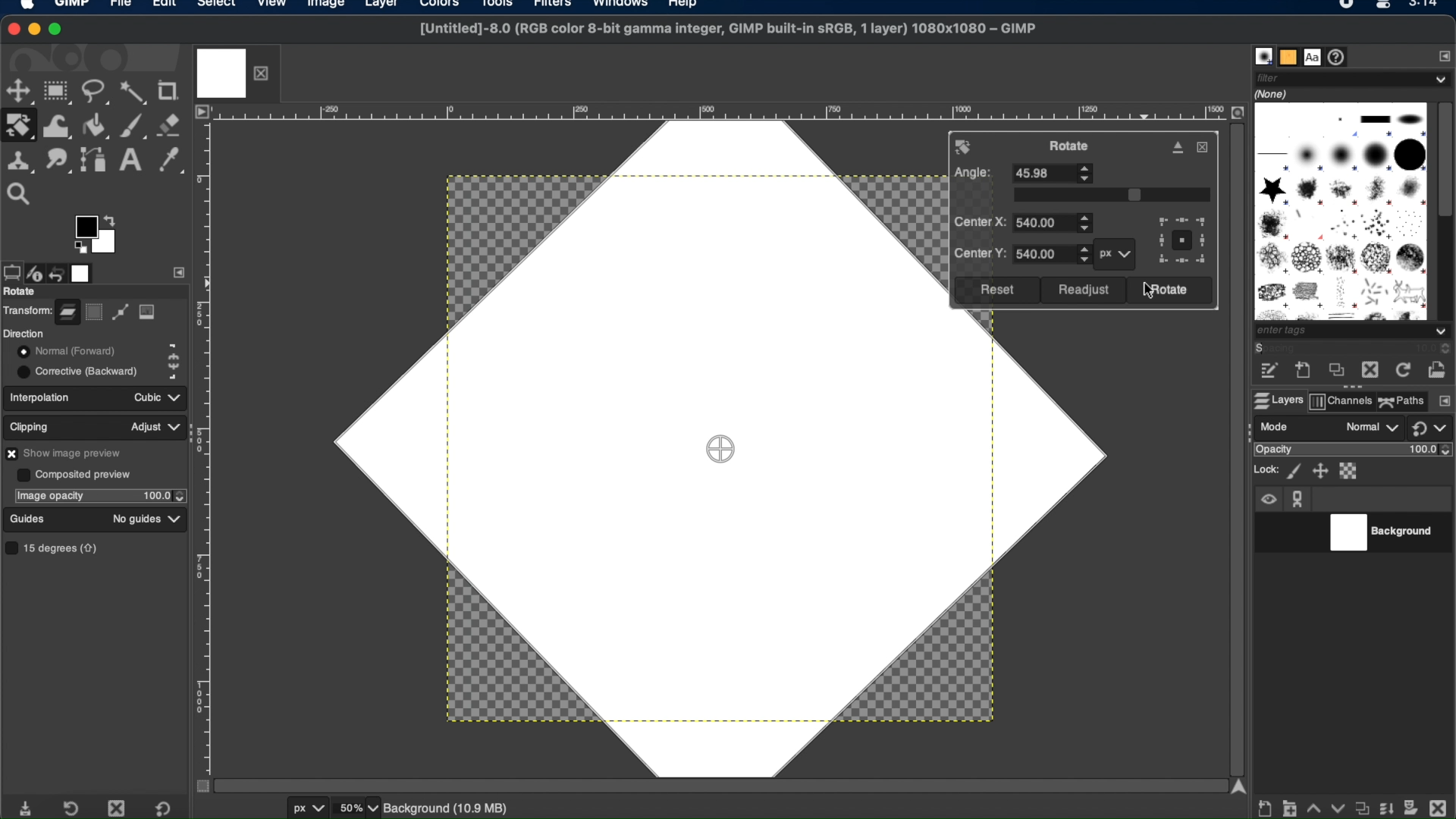 The height and width of the screenshot is (819, 1456). Describe the element at coordinates (148, 312) in the screenshot. I see `image ` at that location.